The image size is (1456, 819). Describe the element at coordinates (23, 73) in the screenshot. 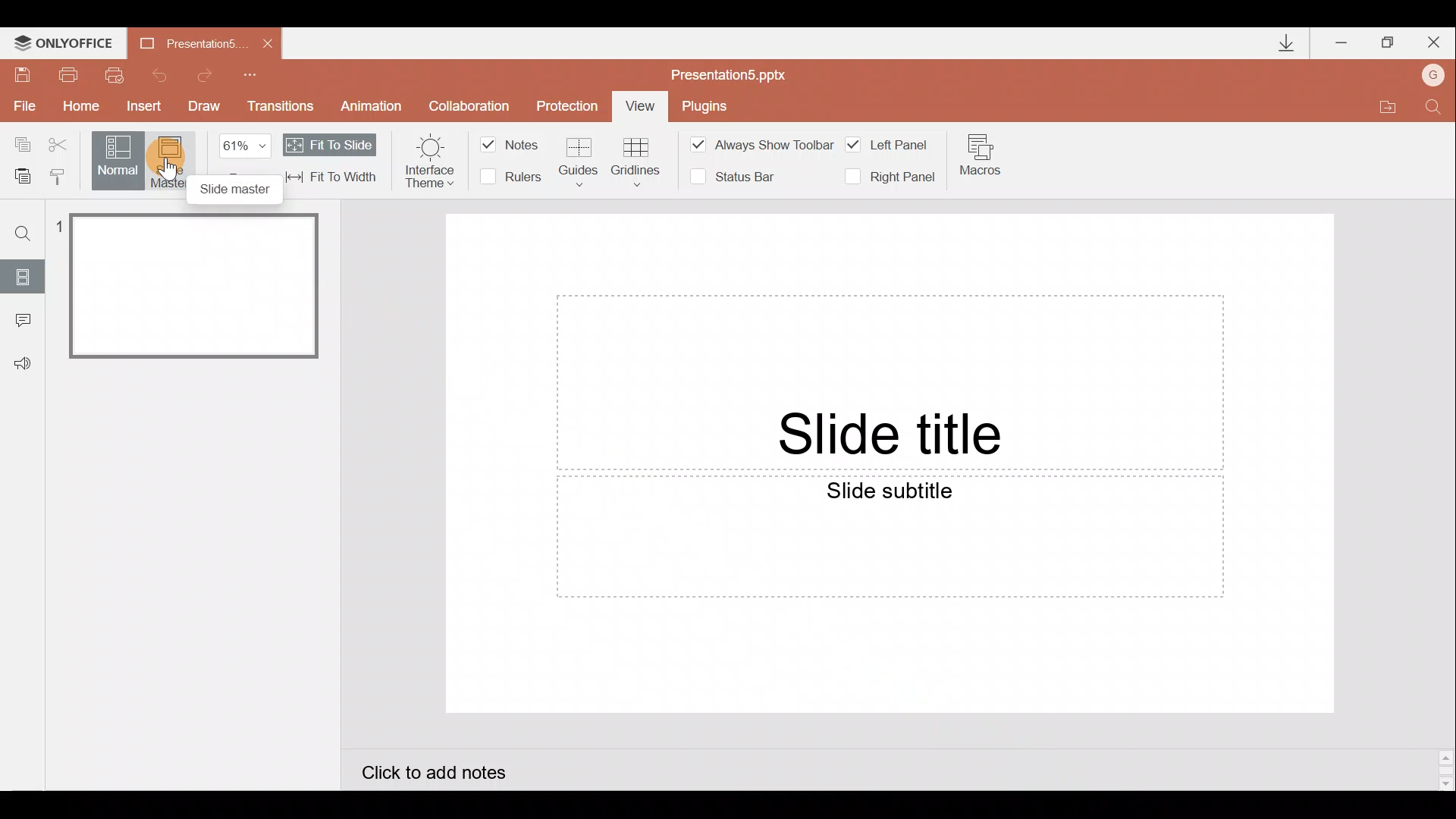

I see `Save` at that location.